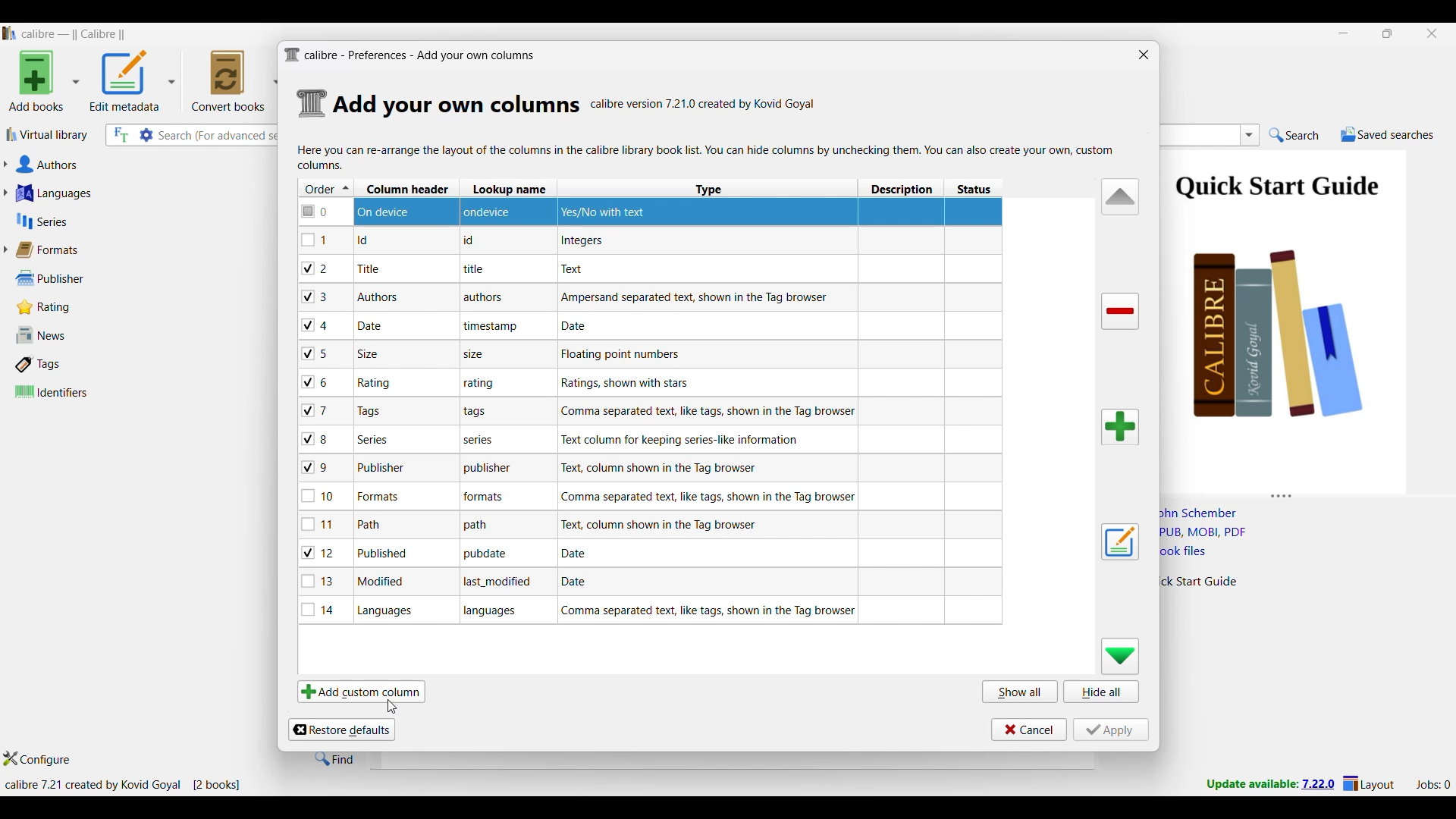 The width and height of the screenshot is (1456, 819). I want to click on checkbox - 10, so click(321, 497).